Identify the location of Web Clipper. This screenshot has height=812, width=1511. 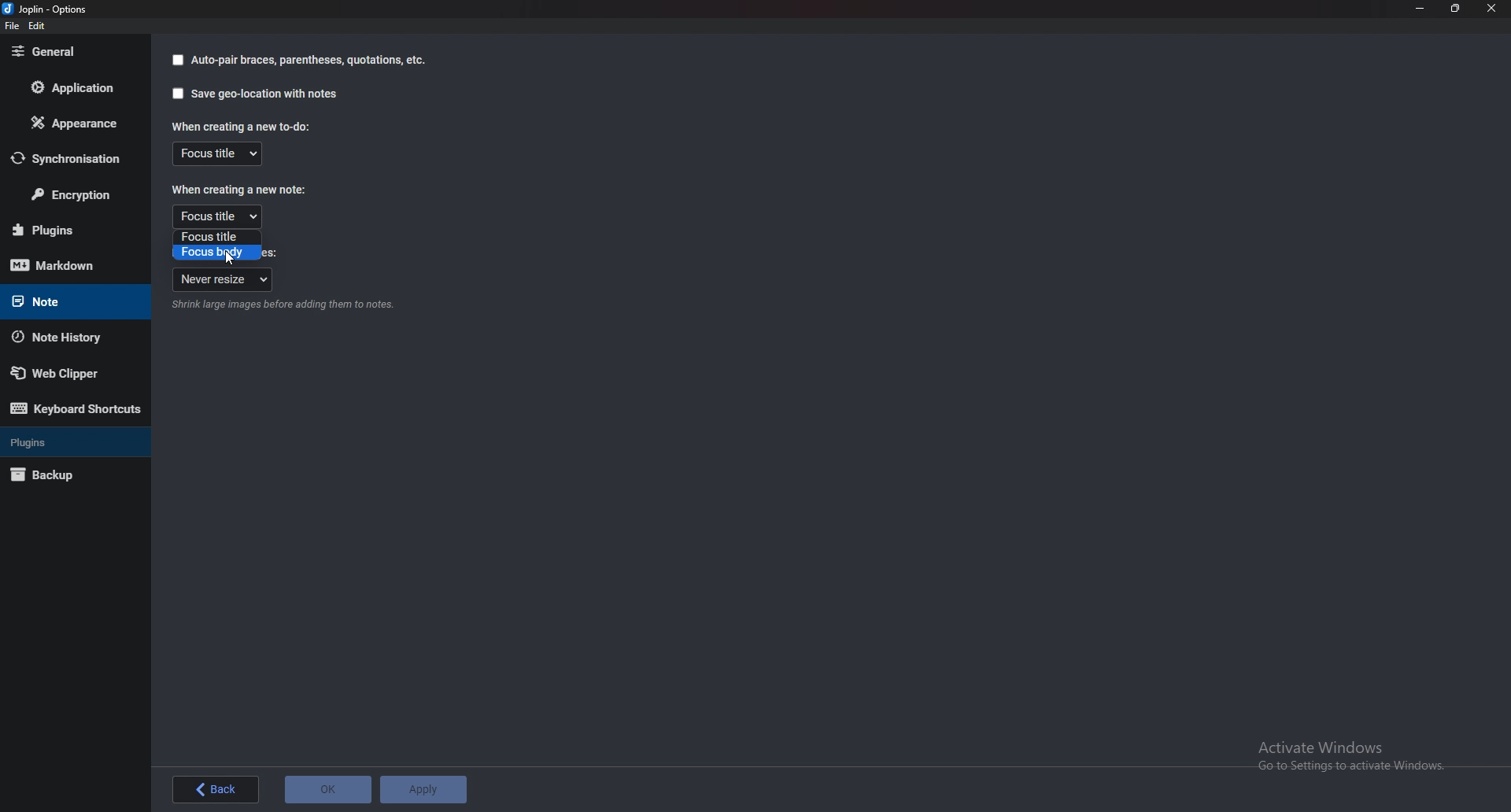
(65, 374).